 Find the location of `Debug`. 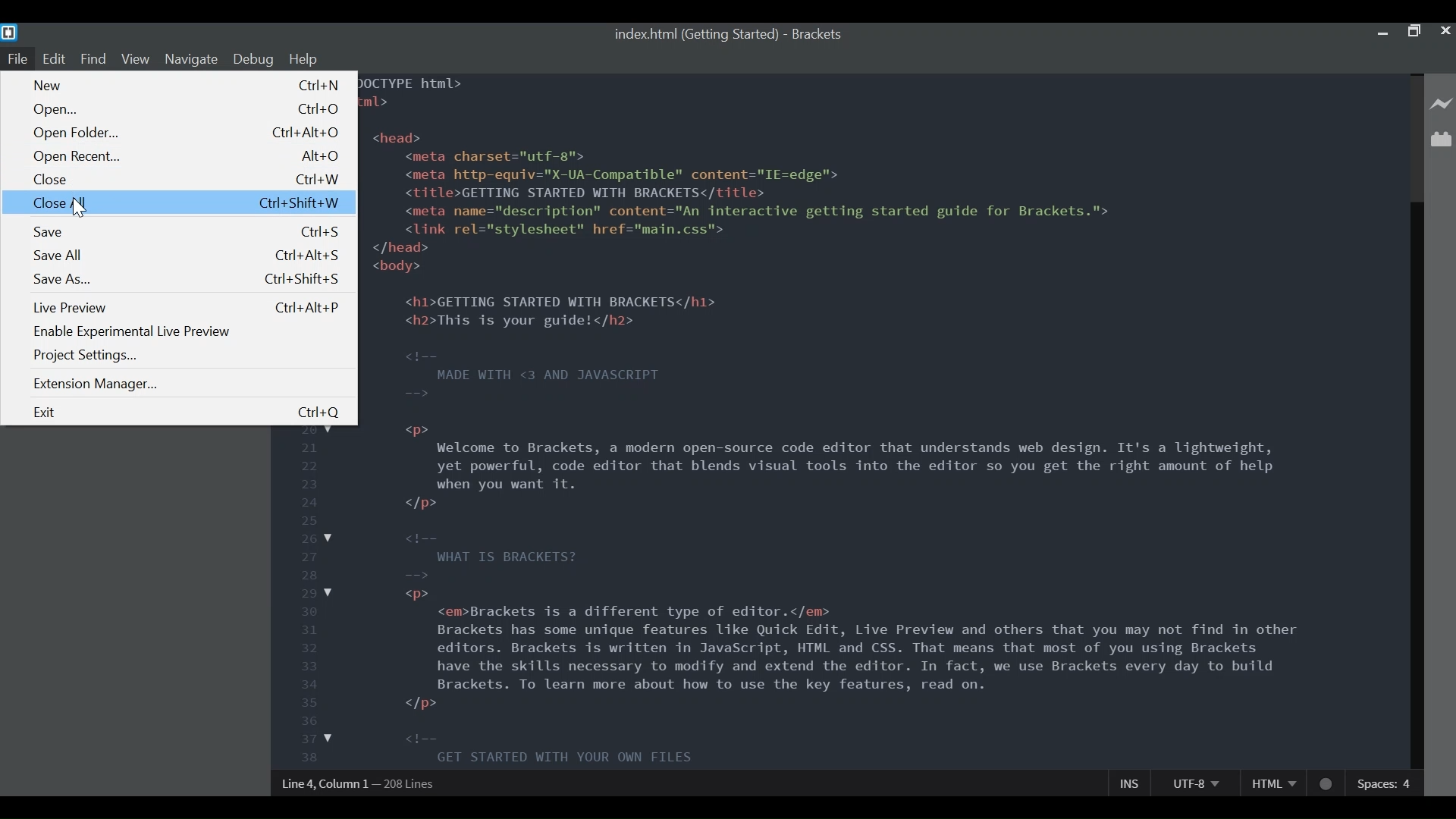

Debug is located at coordinates (253, 59).